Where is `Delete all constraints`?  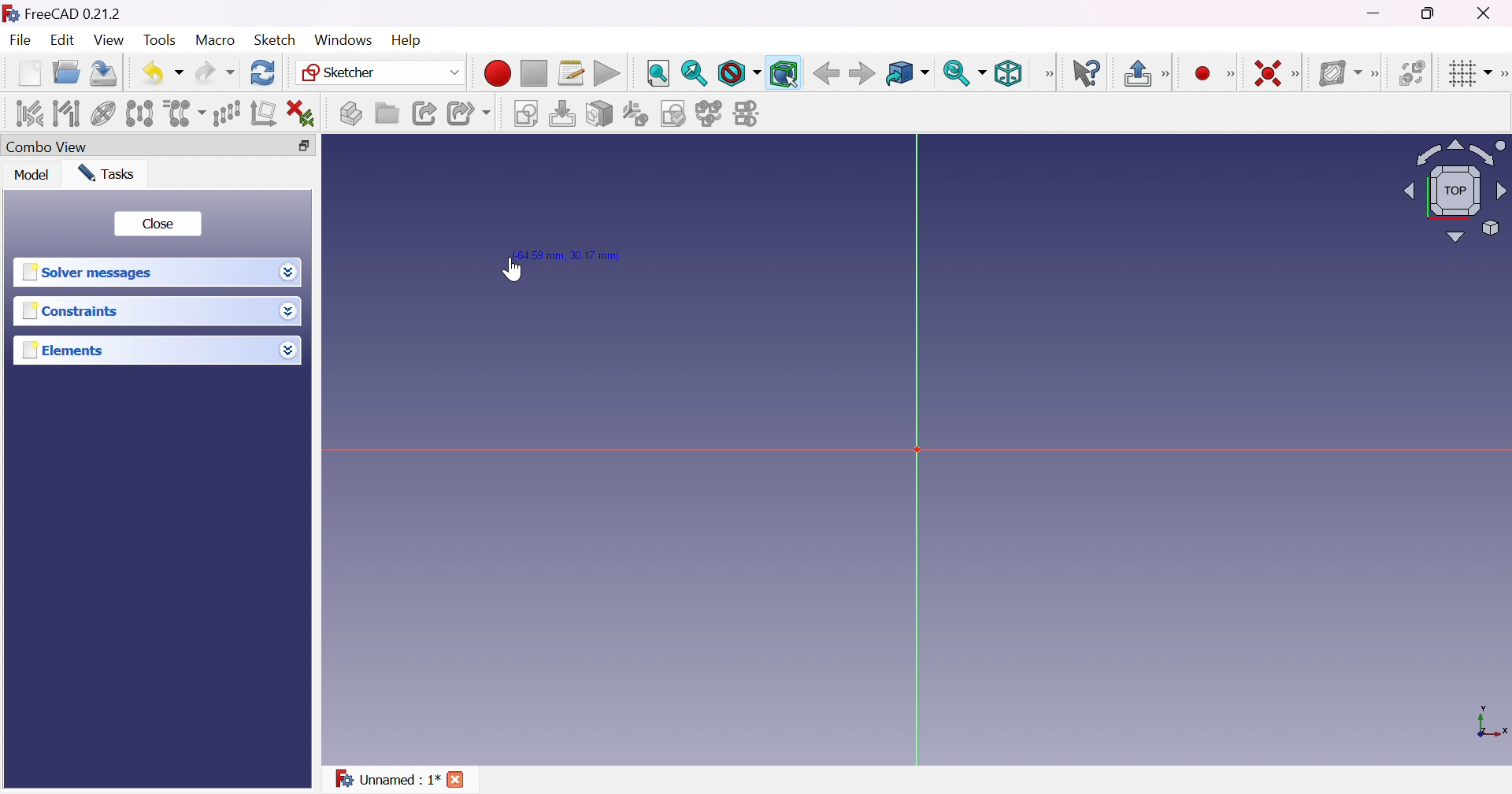
Delete all constraints is located at coordinates (301, 113).